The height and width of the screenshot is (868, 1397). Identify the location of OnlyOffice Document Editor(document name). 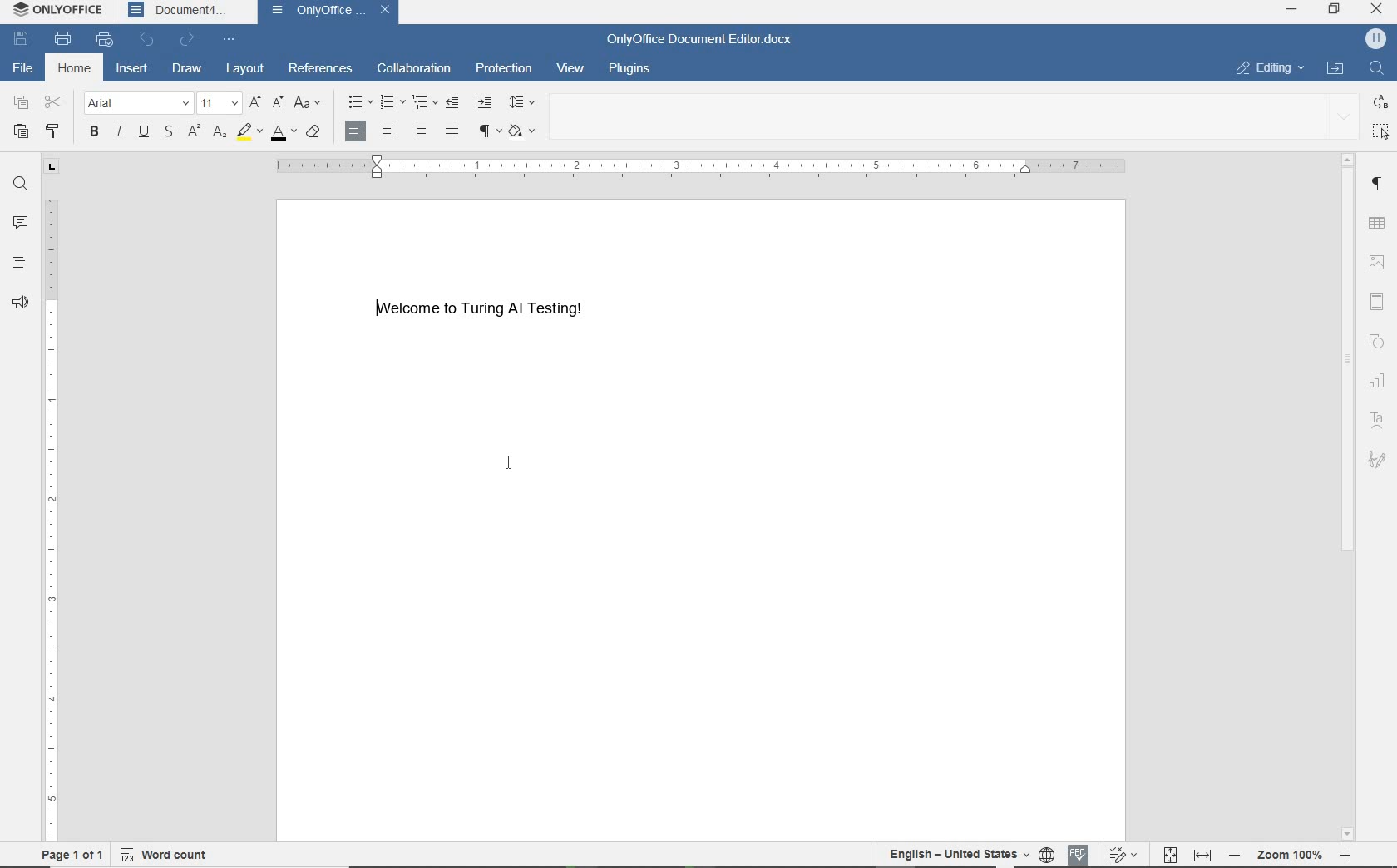
(328, 18).